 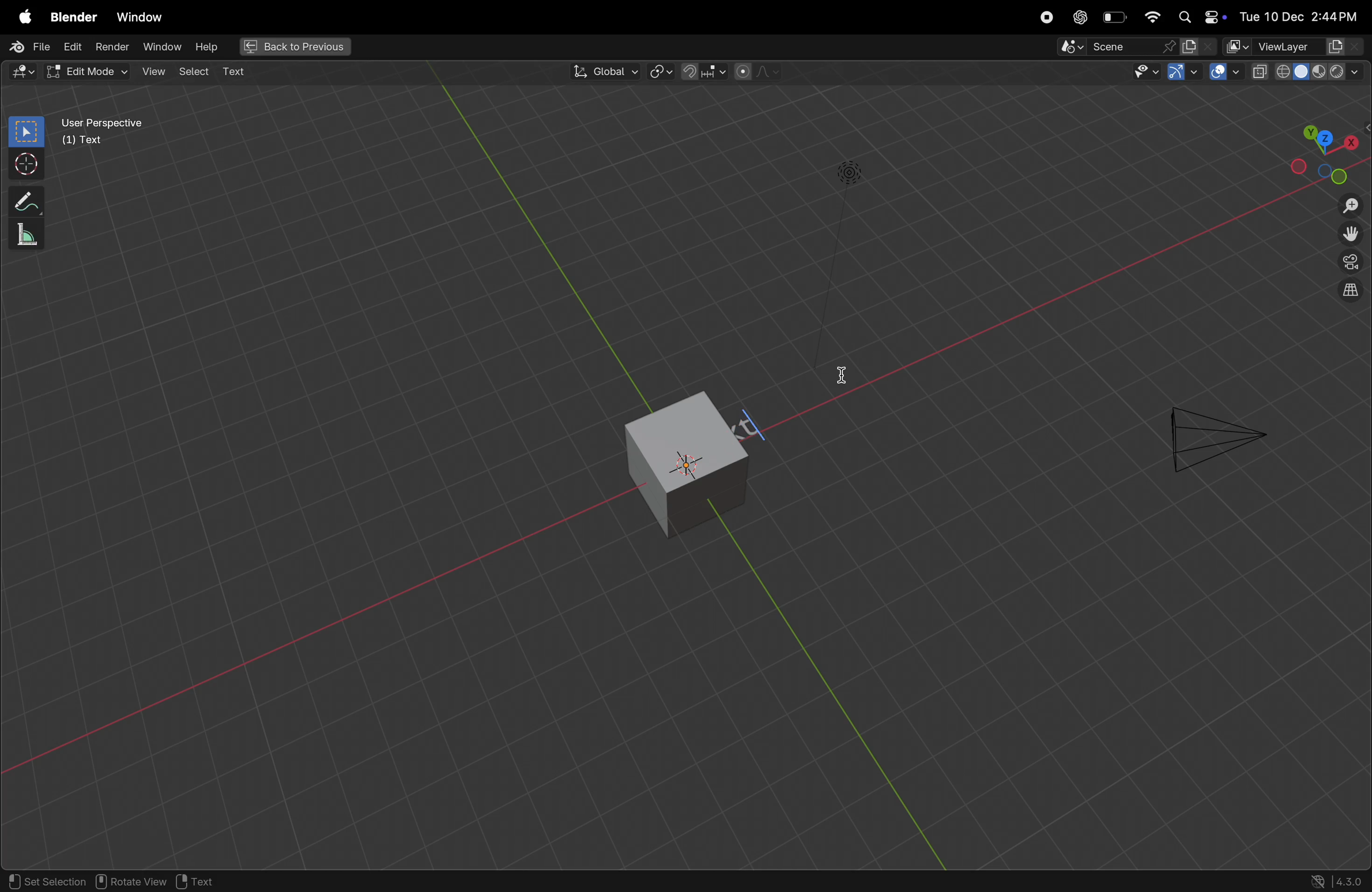 What do you see at coordinates (847, 174) in the screenshot?
I see `Lights` at bounding box center [847, 174].